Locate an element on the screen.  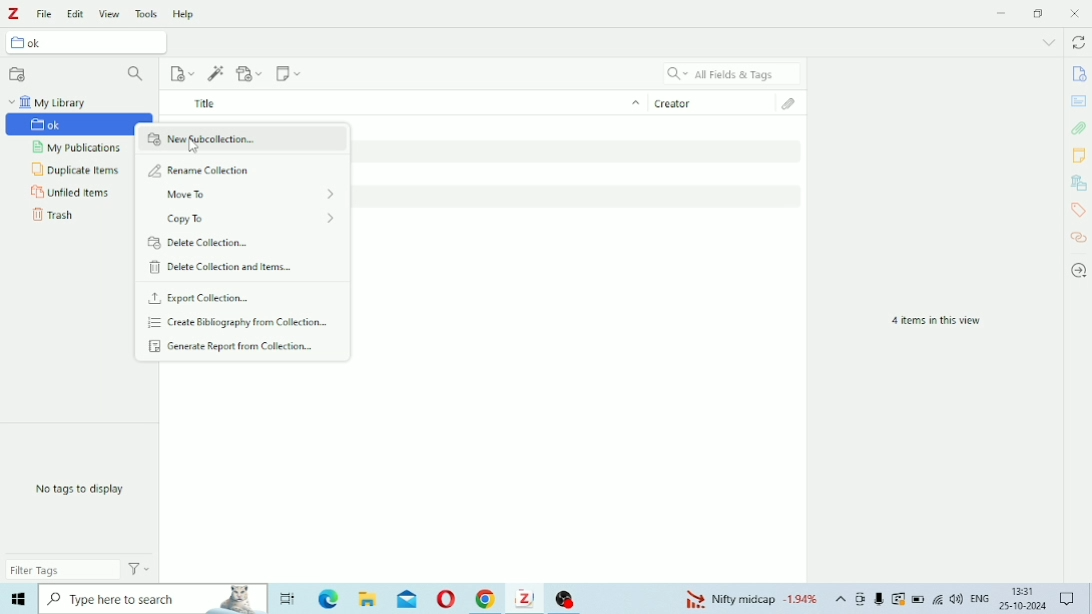
Generate Report from Collection is located at coordinates (235, 346).